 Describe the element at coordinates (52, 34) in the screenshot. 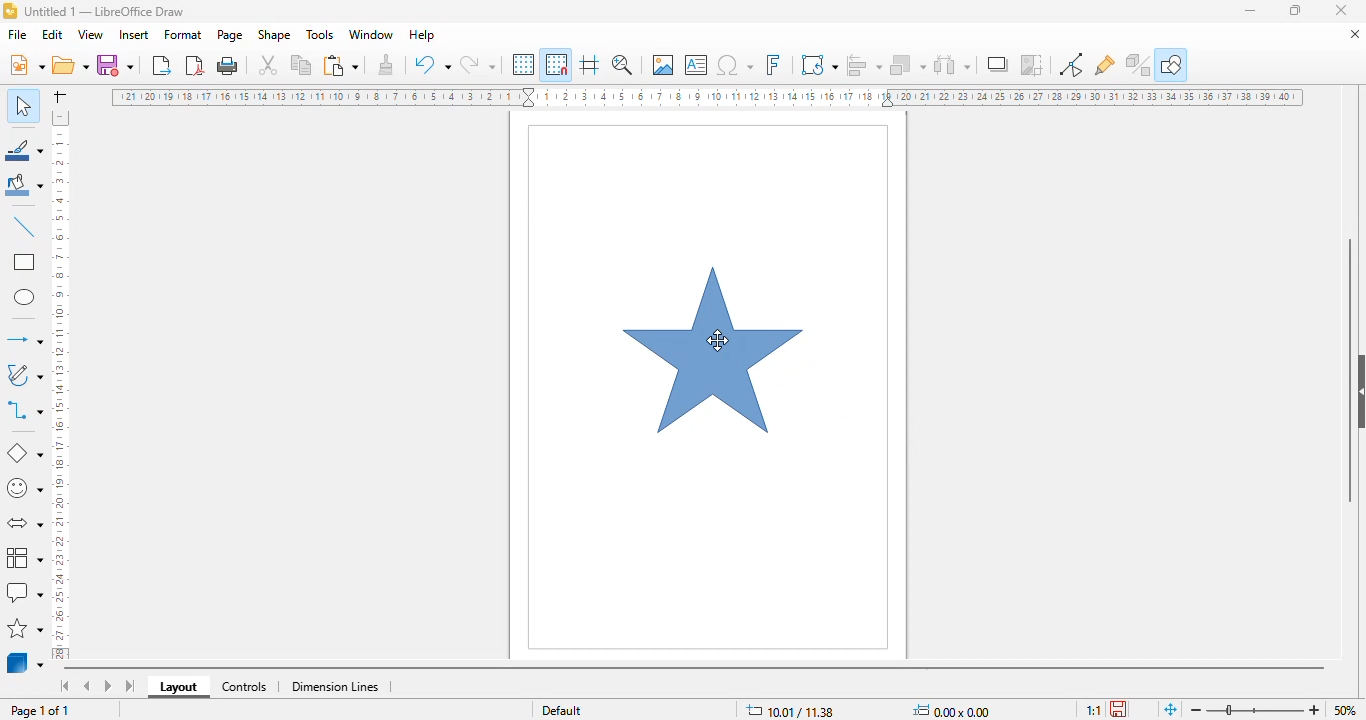

I see `edit` at that location.